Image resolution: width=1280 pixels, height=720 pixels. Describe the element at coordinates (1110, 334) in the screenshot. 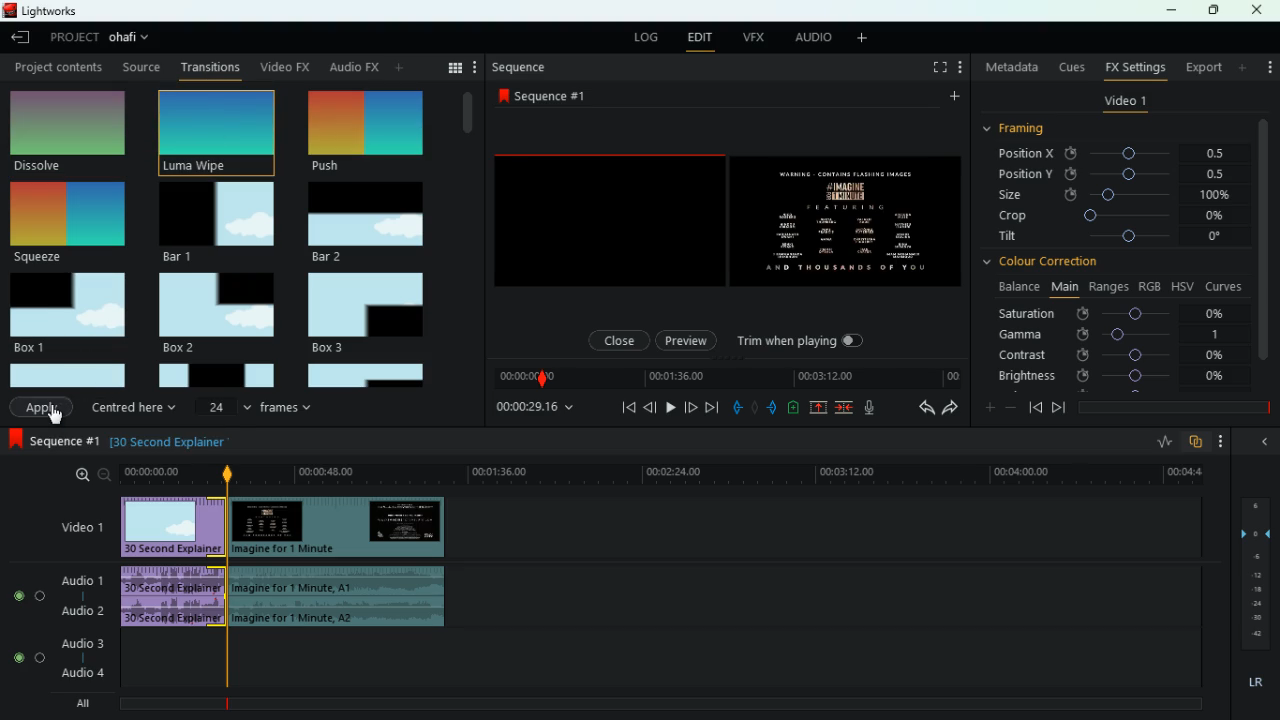

I see `gamma` at that location.